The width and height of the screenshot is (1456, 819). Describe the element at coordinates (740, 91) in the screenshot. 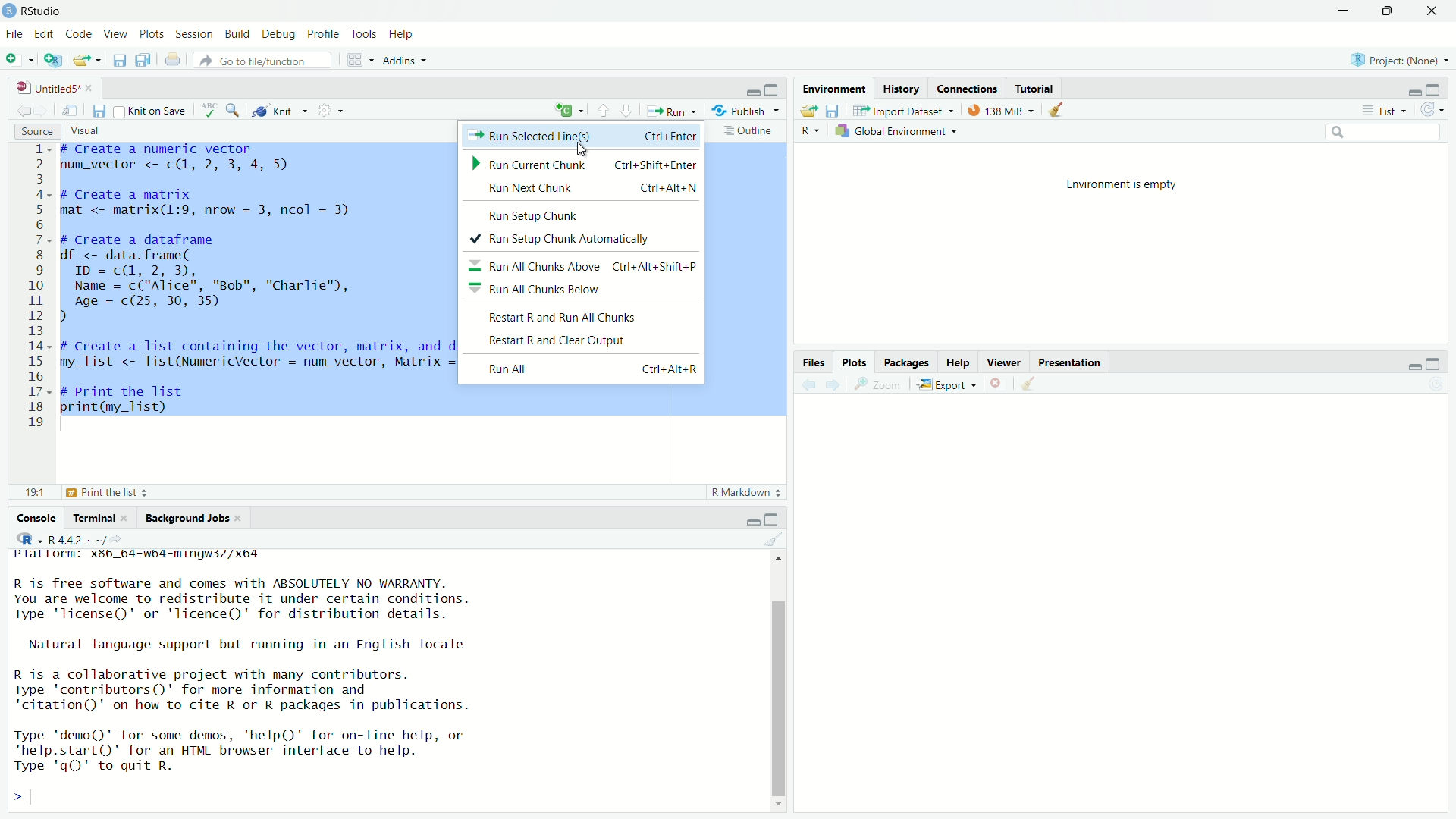

I see `minimise` at that location.